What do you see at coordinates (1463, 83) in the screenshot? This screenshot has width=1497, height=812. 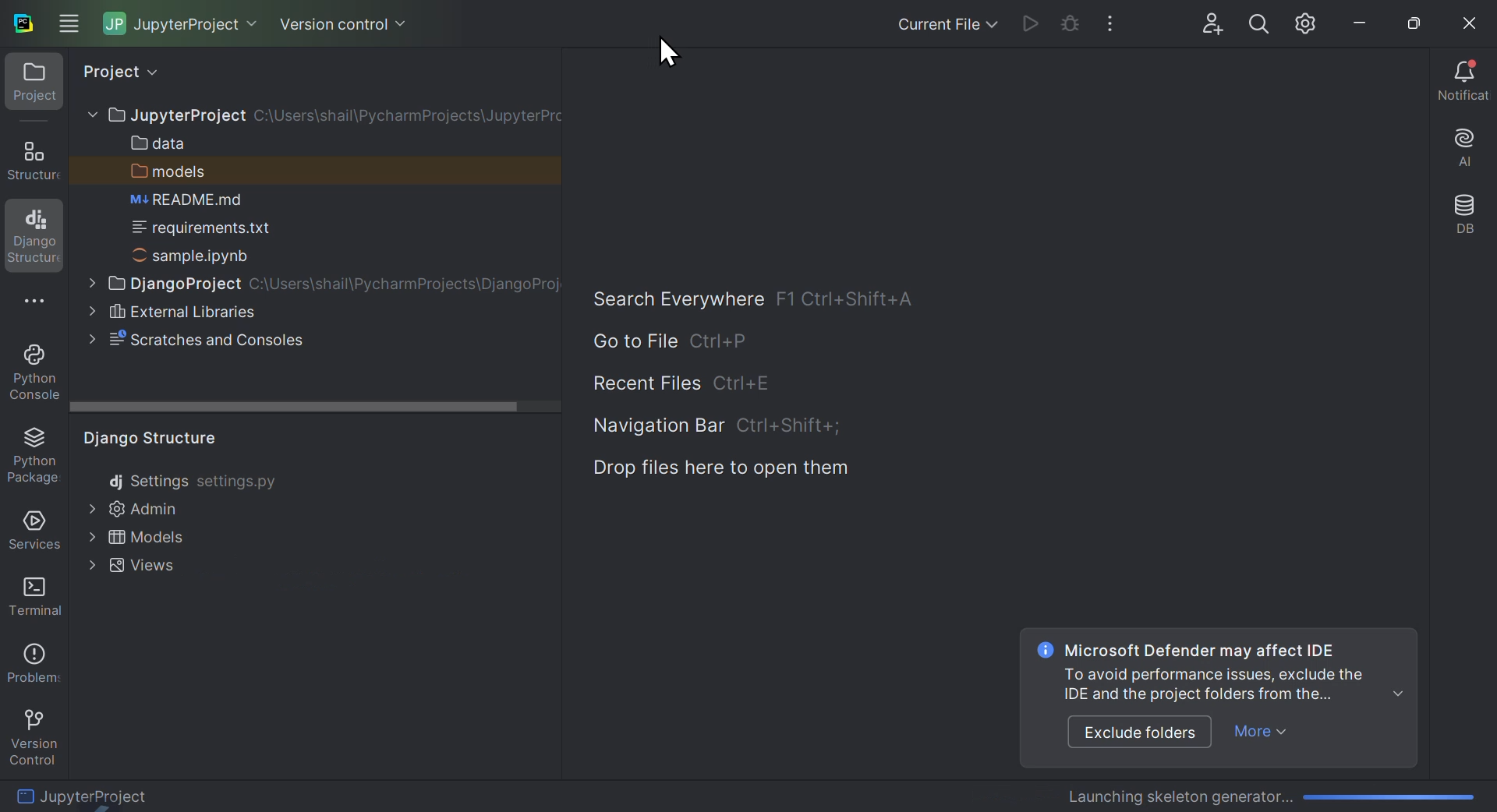 I see `Notifications` at bounding box center [1463, 83].